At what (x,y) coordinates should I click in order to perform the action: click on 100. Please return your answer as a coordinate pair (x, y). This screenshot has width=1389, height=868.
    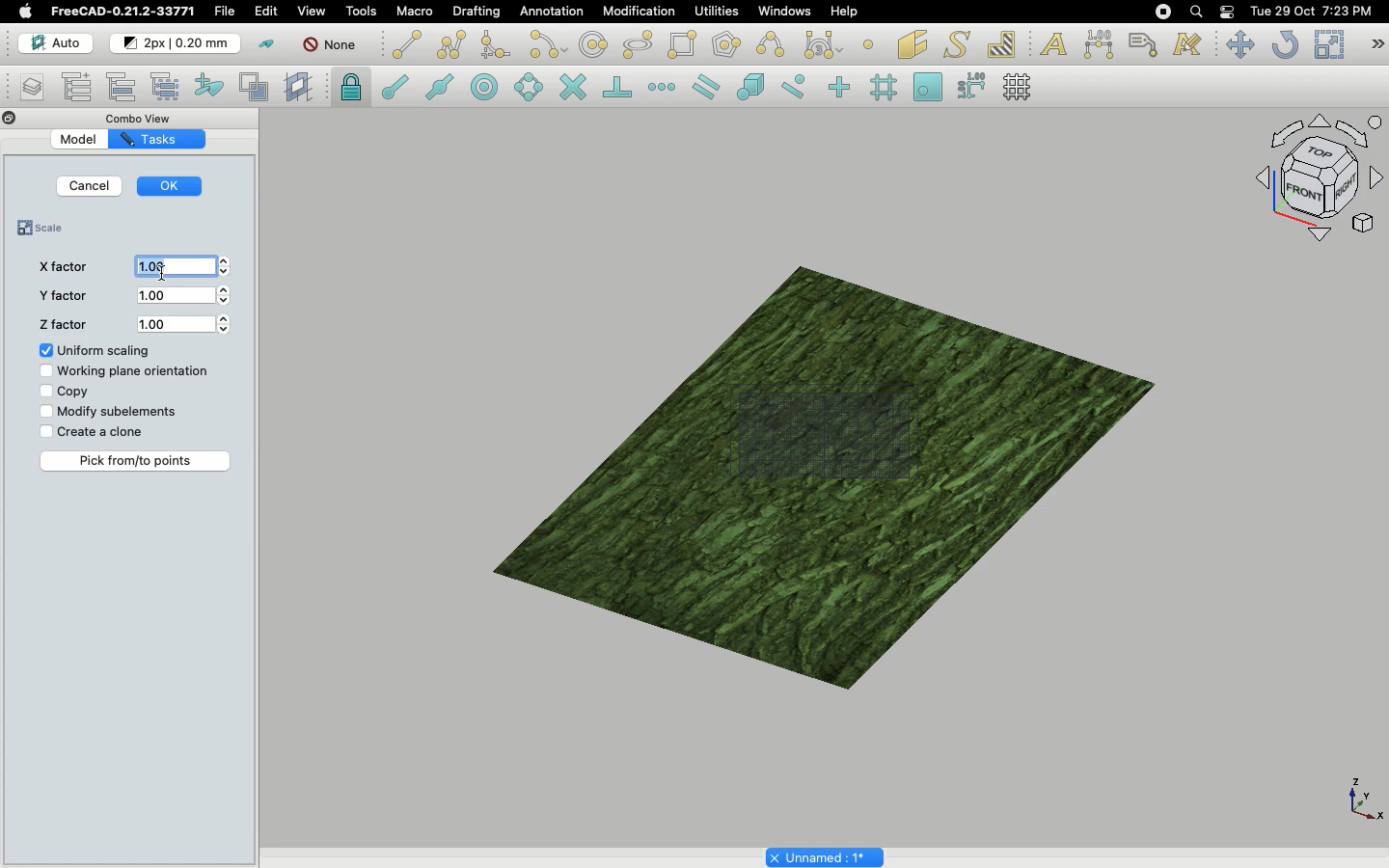
    Looking at the image, I should click on (187, 297).